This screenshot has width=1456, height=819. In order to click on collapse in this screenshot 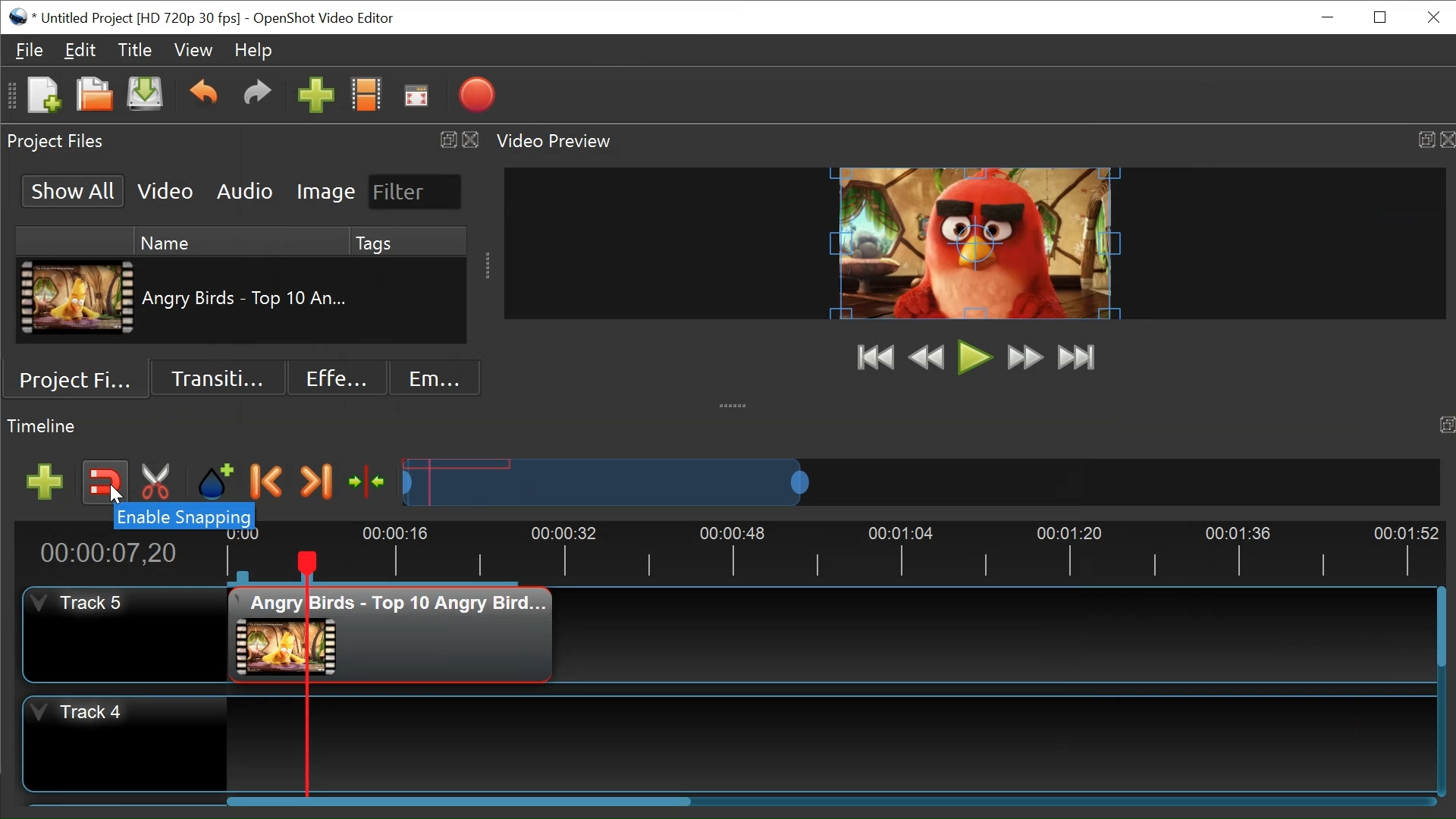, I will do `click(736, 402)`.